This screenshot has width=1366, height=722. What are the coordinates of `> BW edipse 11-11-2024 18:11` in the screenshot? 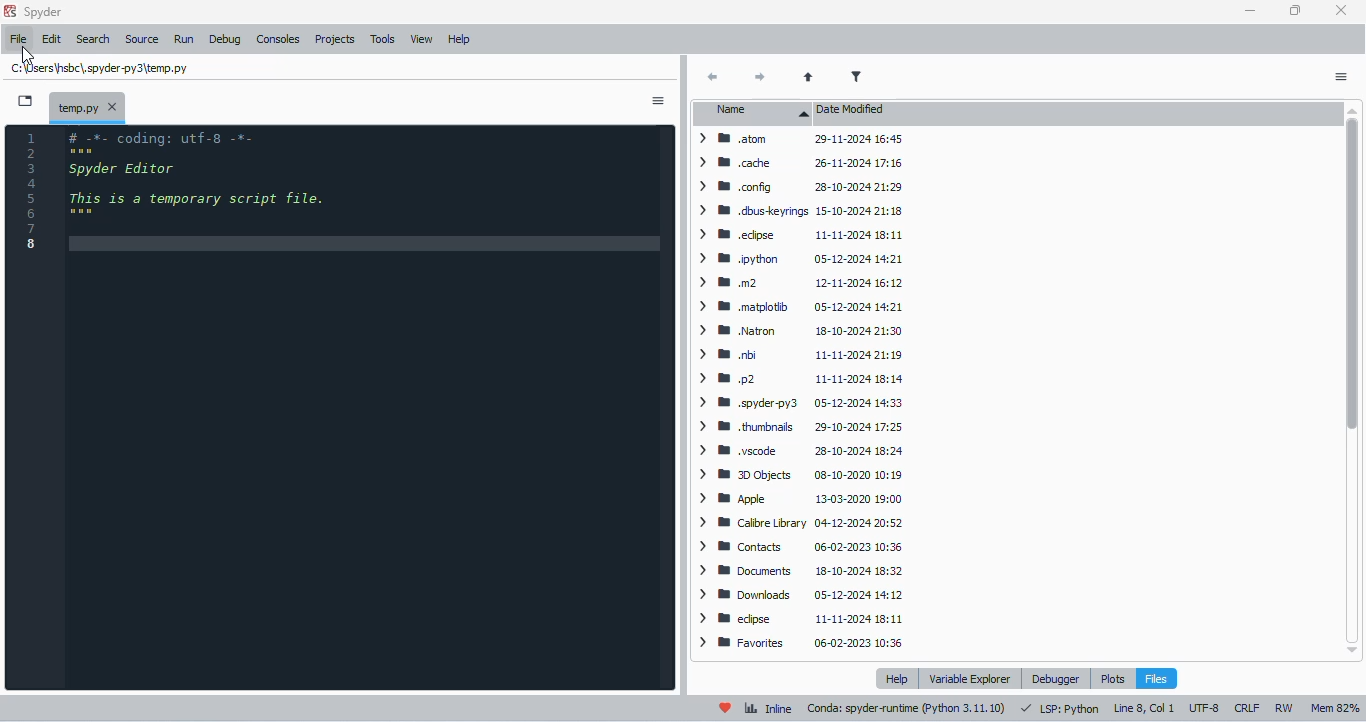 It's located at (795, 237).